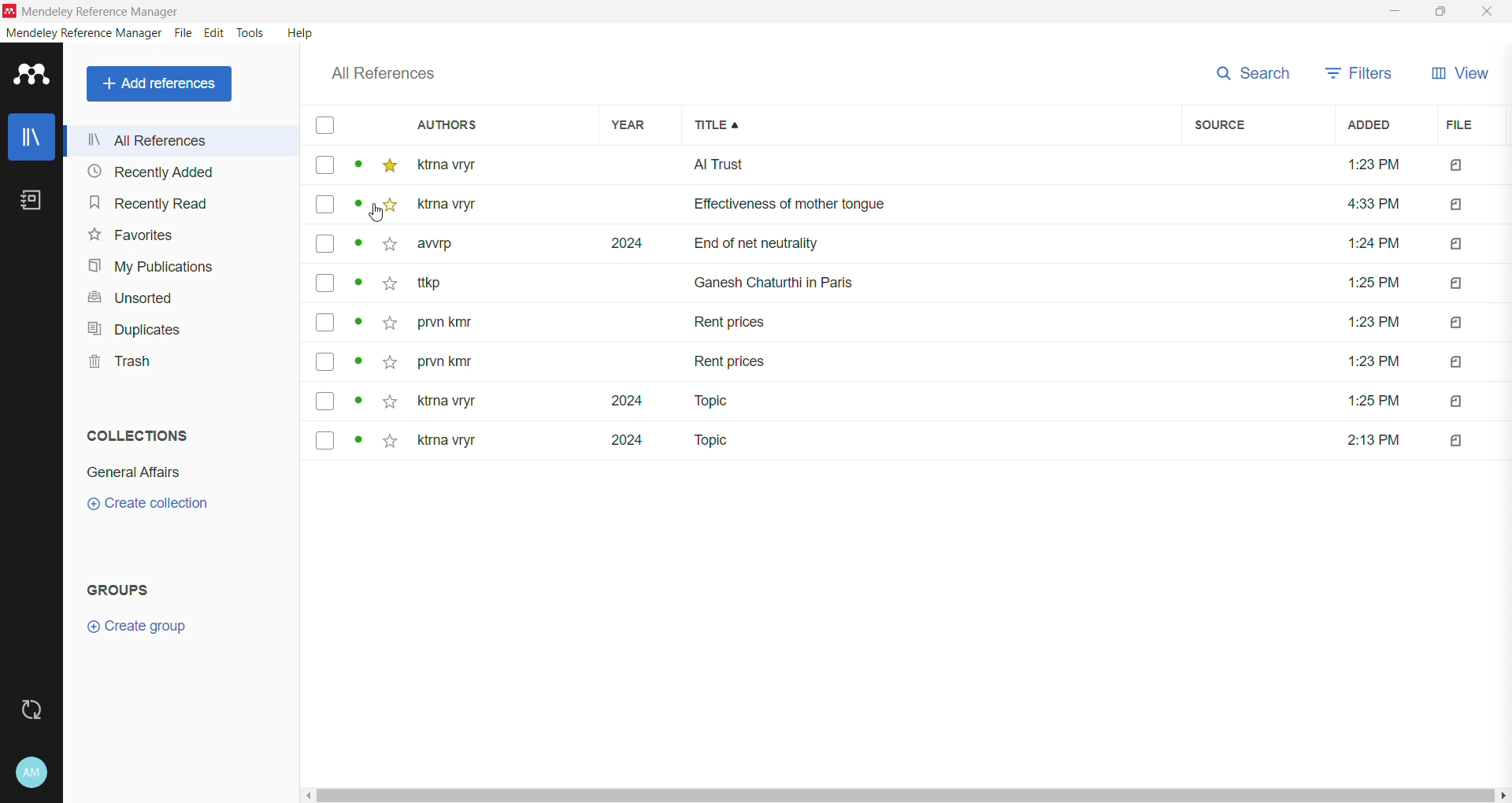 This screenshot has width=1512, height=803. What do you see at coordinates (454, 324) in the screenshot?
I see `prvn kity` at bounding box center [454, 324].